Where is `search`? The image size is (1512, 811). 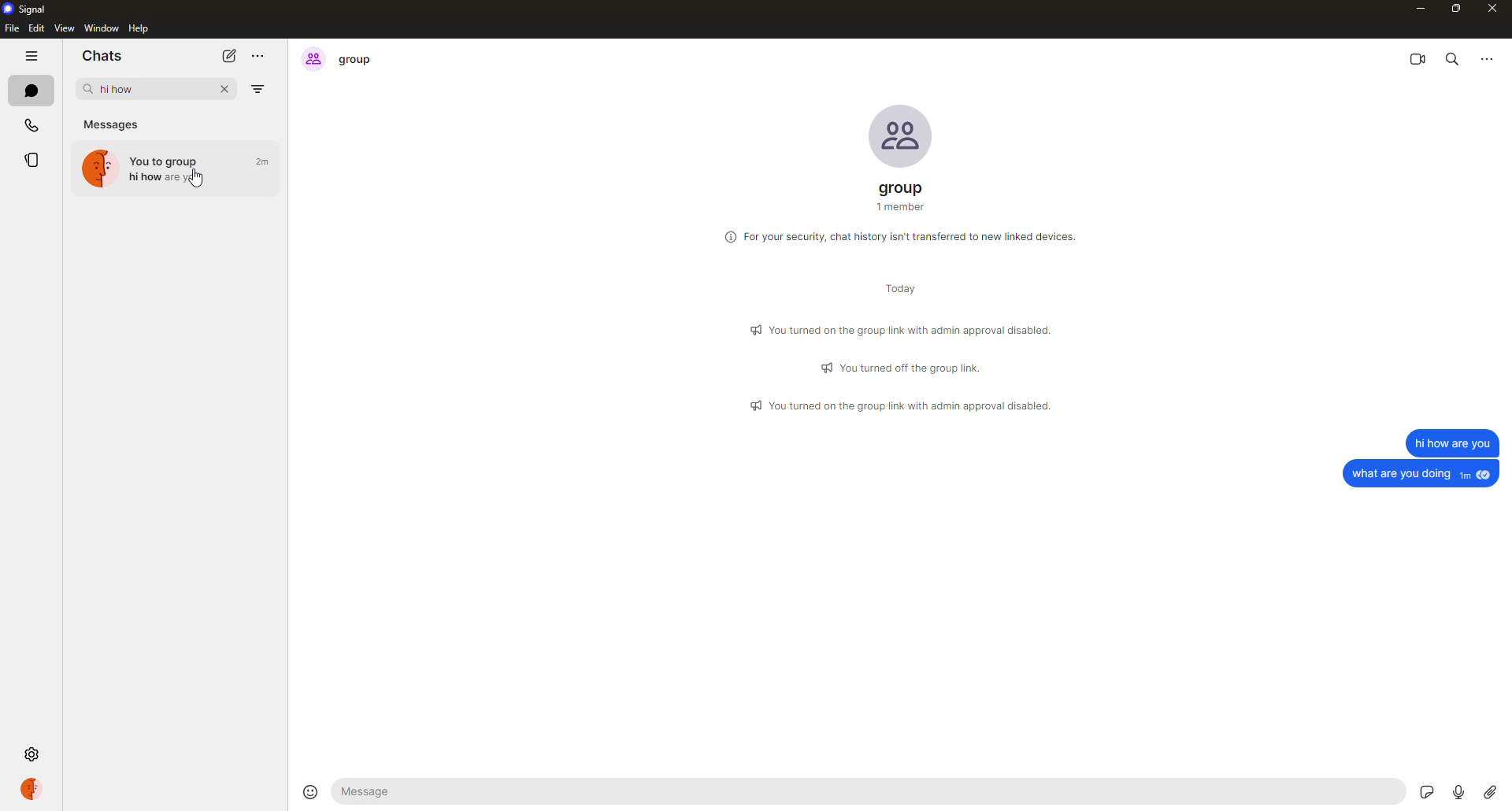 search is located at coordinates (1453, 57).